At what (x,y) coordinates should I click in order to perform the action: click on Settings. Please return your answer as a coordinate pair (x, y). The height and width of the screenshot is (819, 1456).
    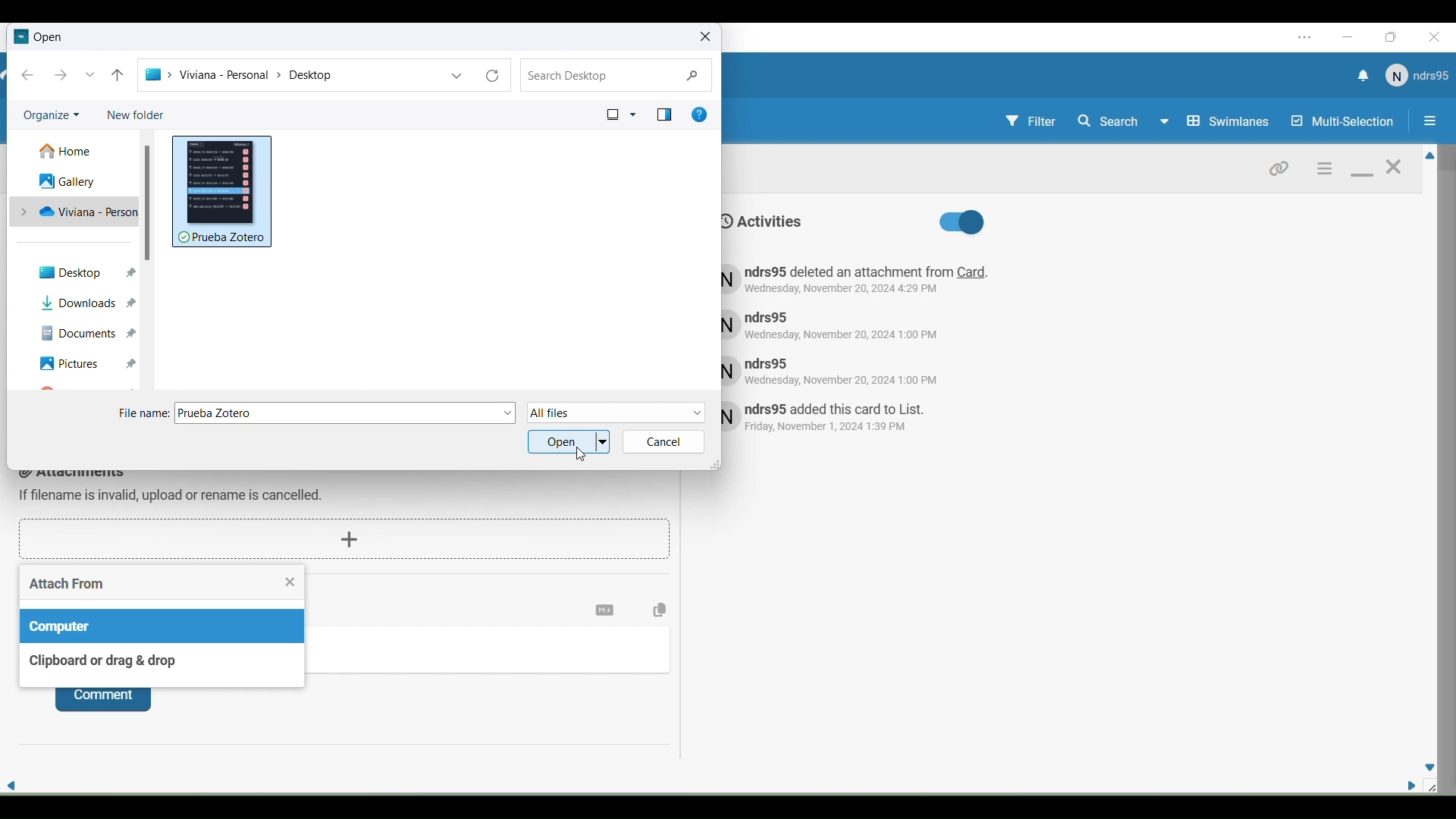
    Looking at the image, I should click on (604, 610).